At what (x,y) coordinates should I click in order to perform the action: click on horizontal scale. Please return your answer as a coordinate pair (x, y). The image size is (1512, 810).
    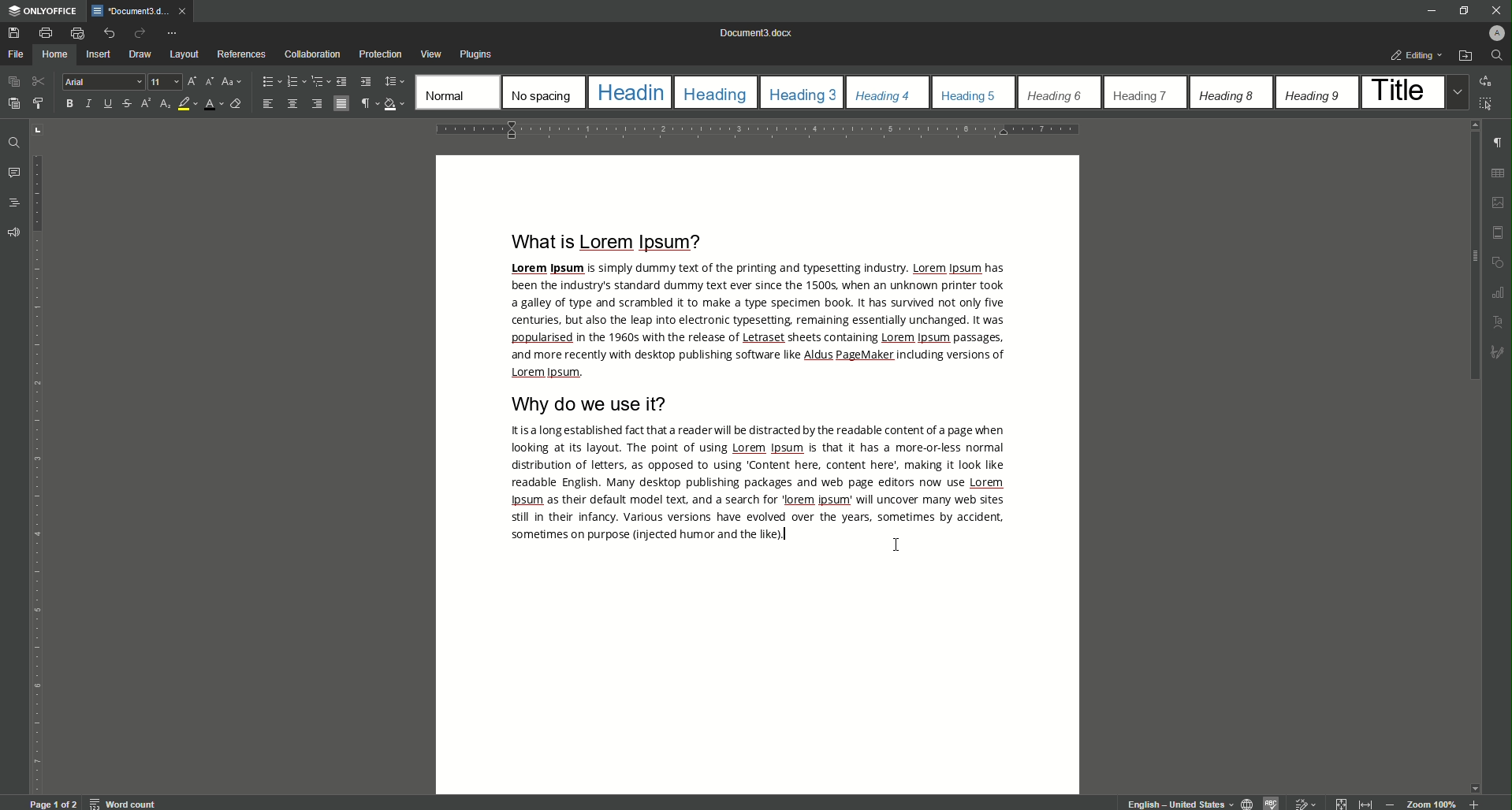
    Looking at the image, I should click on (756, 132).